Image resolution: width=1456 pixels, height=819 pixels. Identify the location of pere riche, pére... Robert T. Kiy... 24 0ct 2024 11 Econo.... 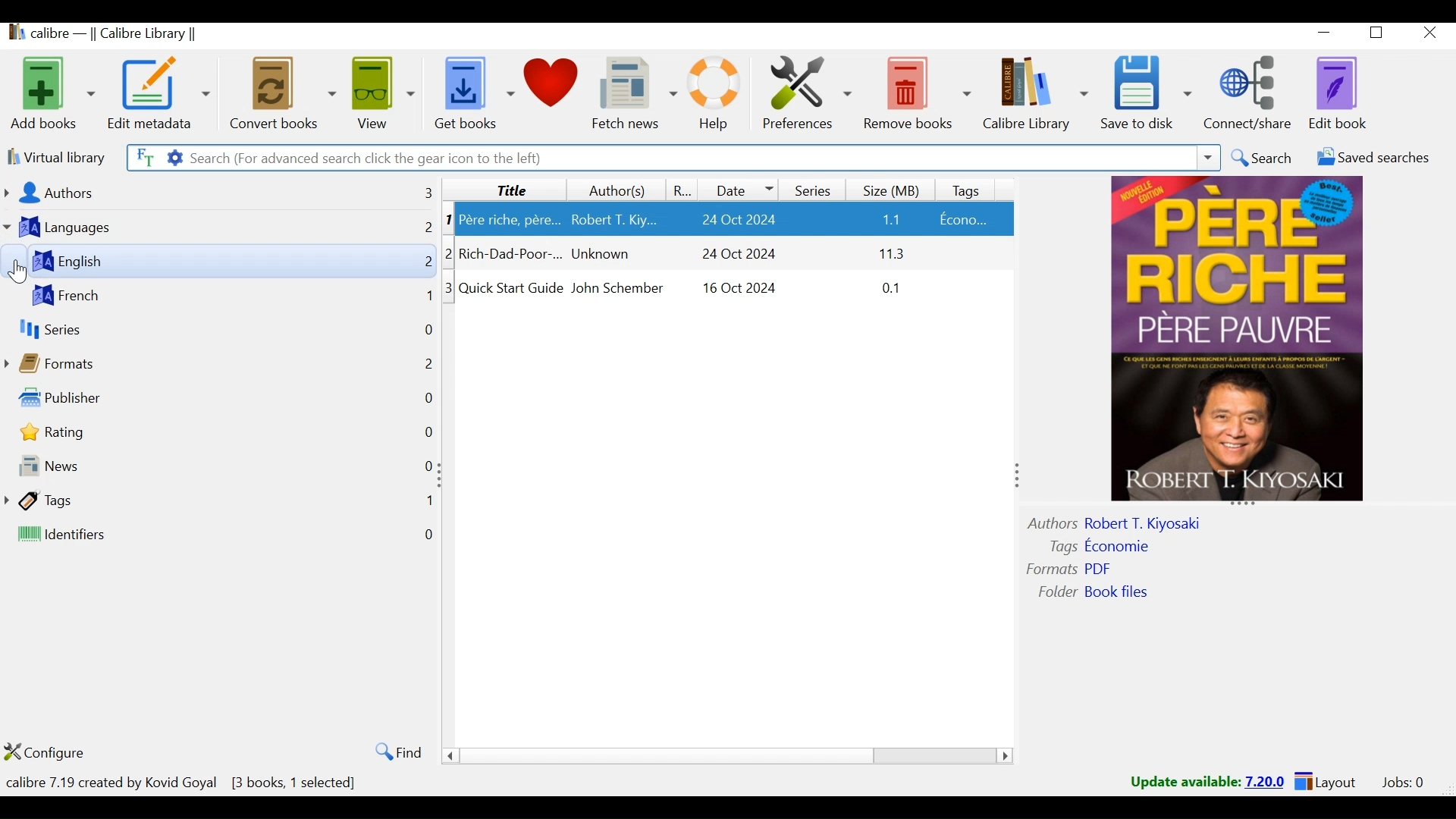
(735, 219).